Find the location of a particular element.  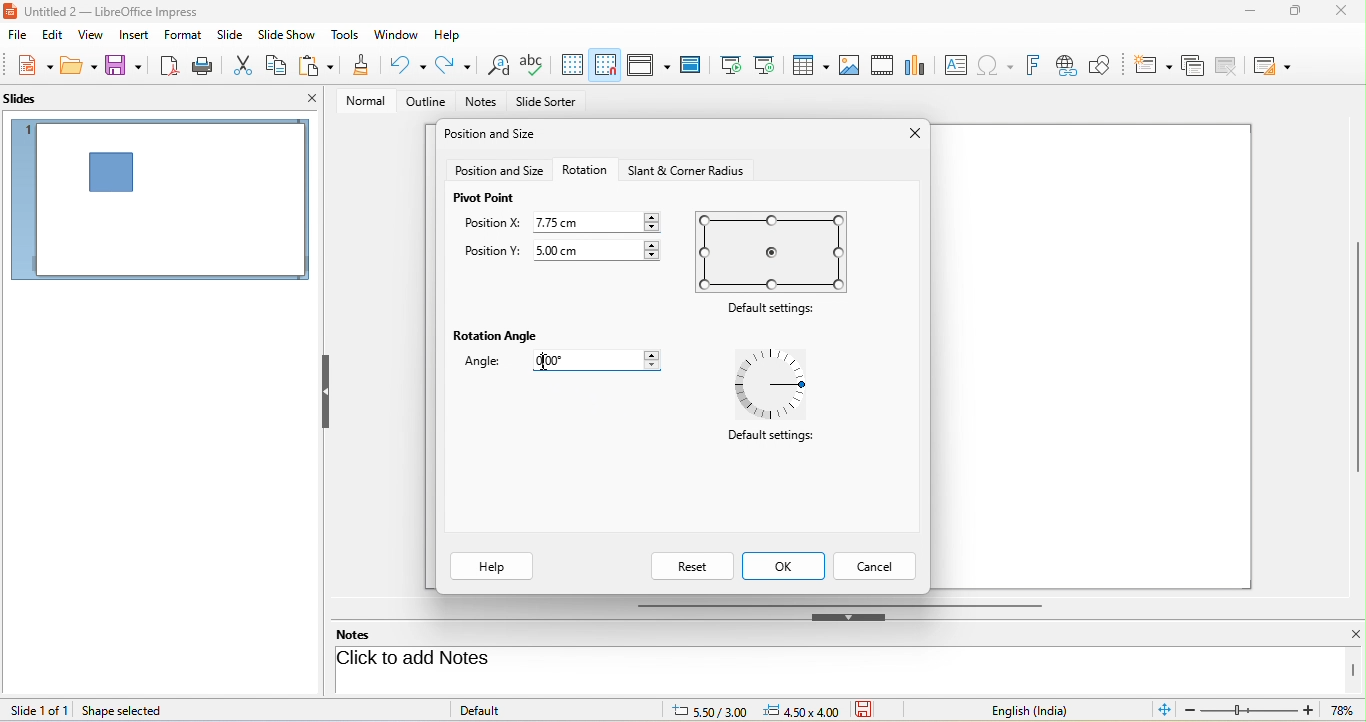

cursor position-5.50/3.00 is located at coordinates (698, 709).